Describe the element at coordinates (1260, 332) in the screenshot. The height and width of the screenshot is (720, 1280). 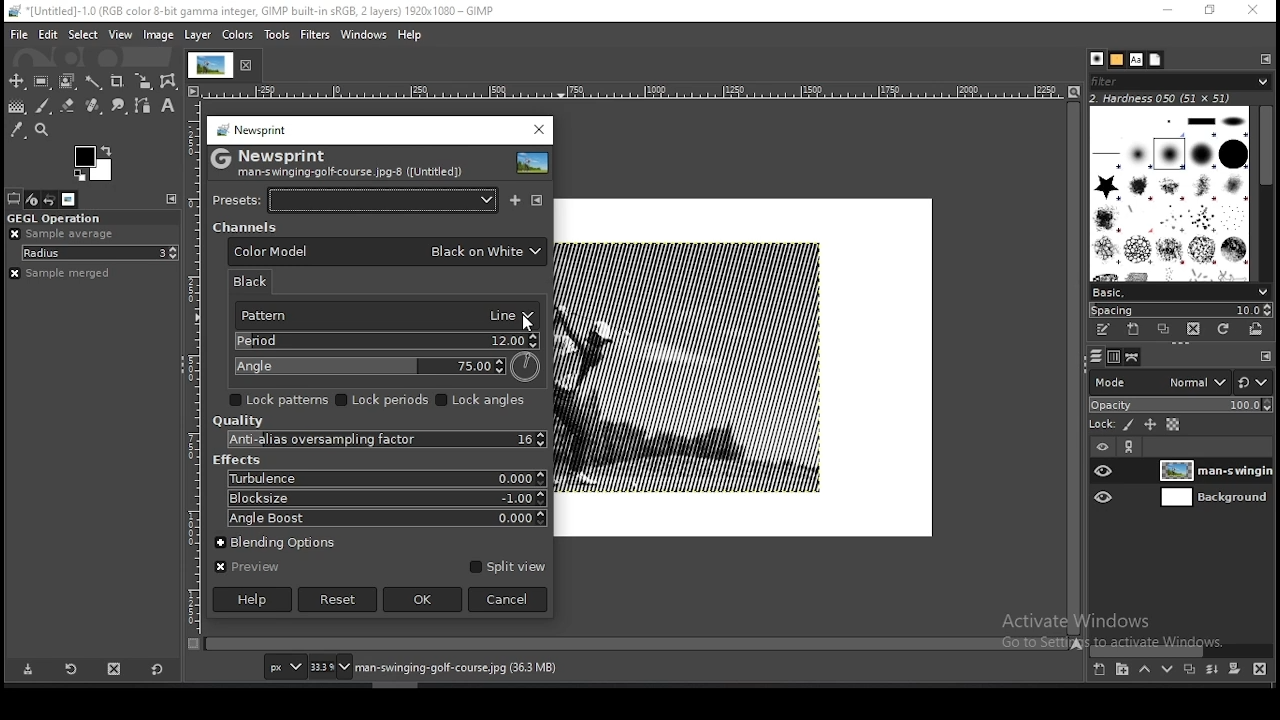
I see `open brush as image` at that location.